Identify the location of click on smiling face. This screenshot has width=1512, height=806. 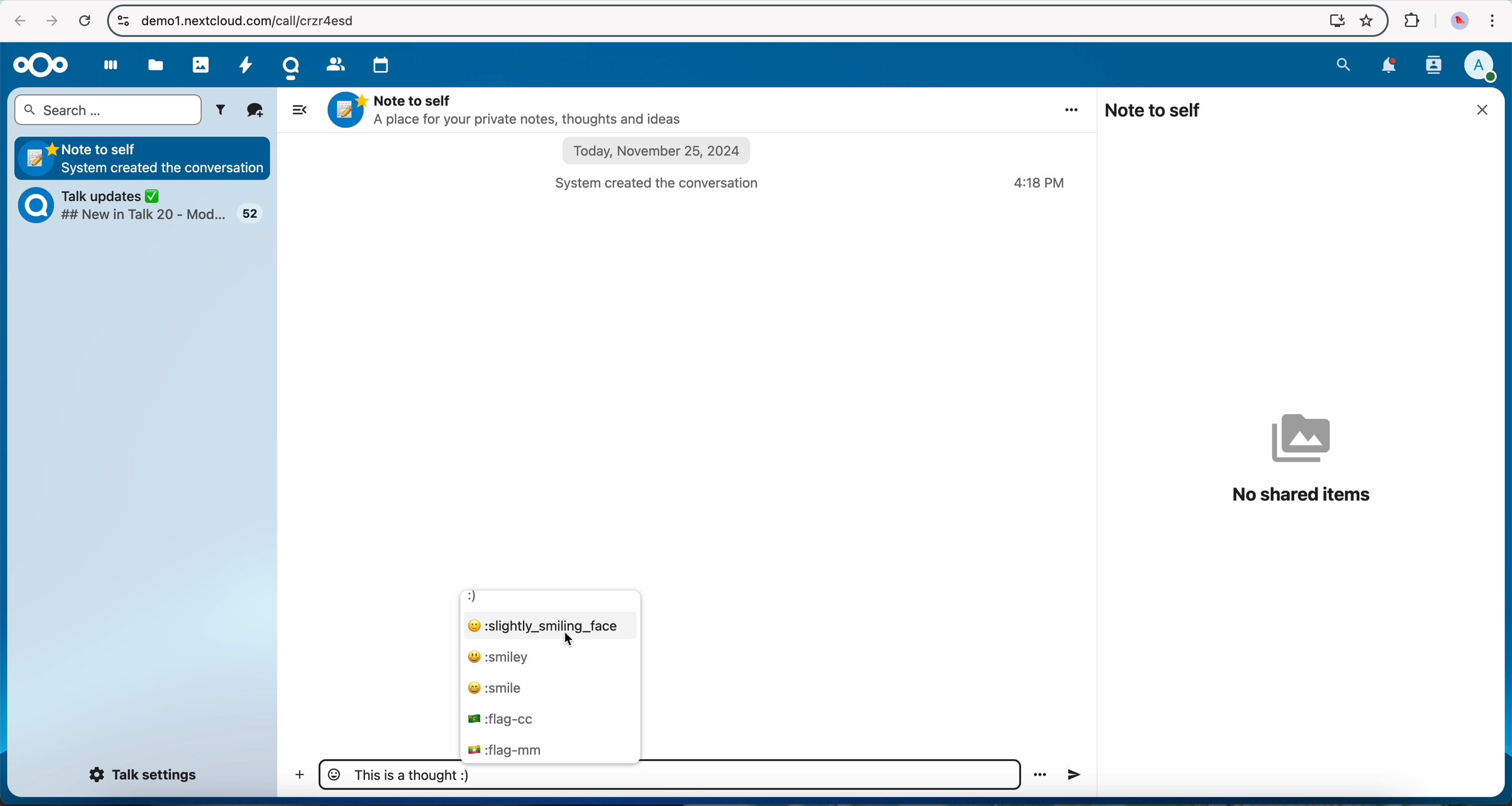
(551, 627).